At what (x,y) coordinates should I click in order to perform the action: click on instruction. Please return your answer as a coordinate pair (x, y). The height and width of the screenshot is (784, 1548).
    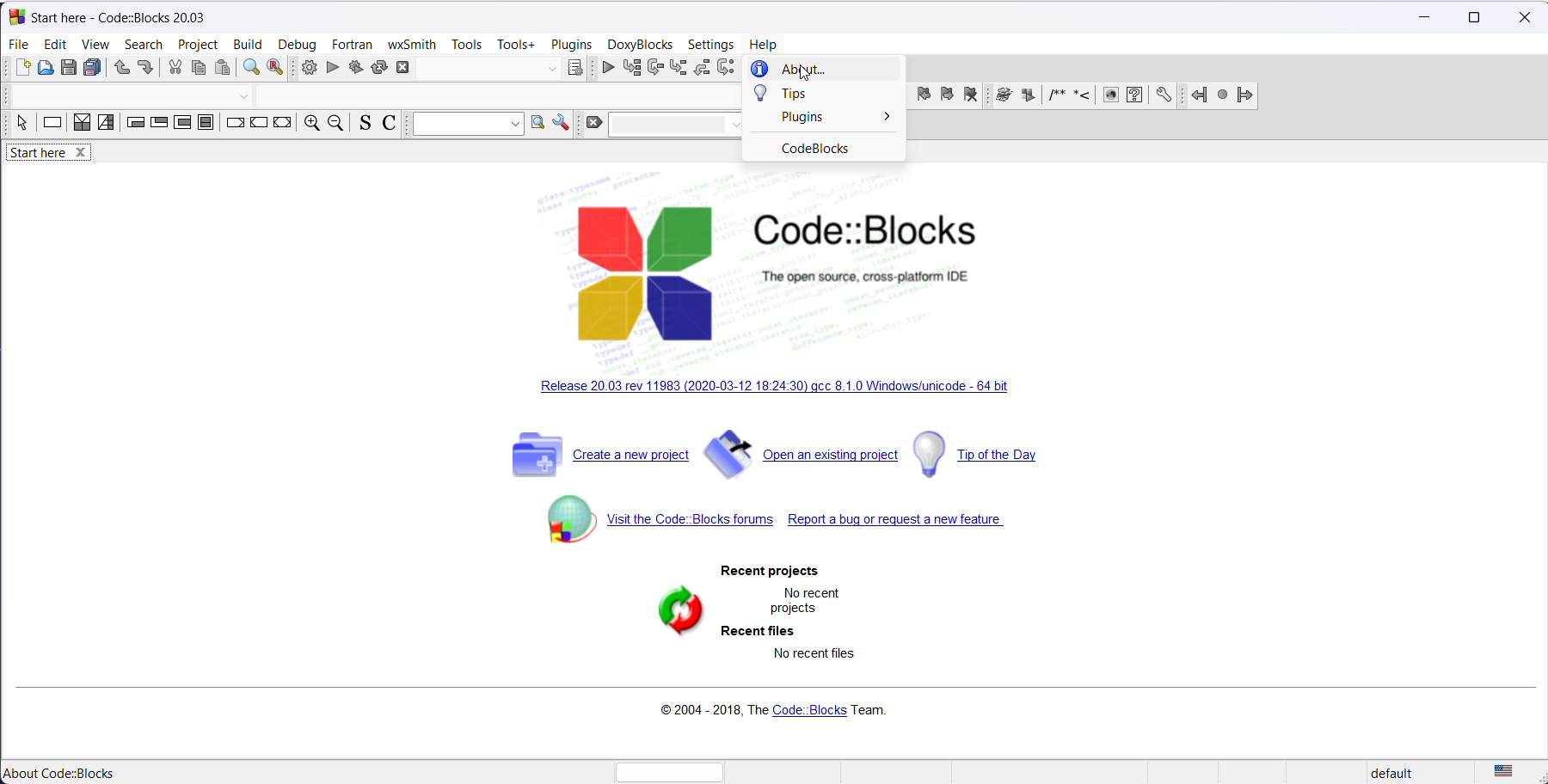
    Looking at the image, I should click on (52, 125).